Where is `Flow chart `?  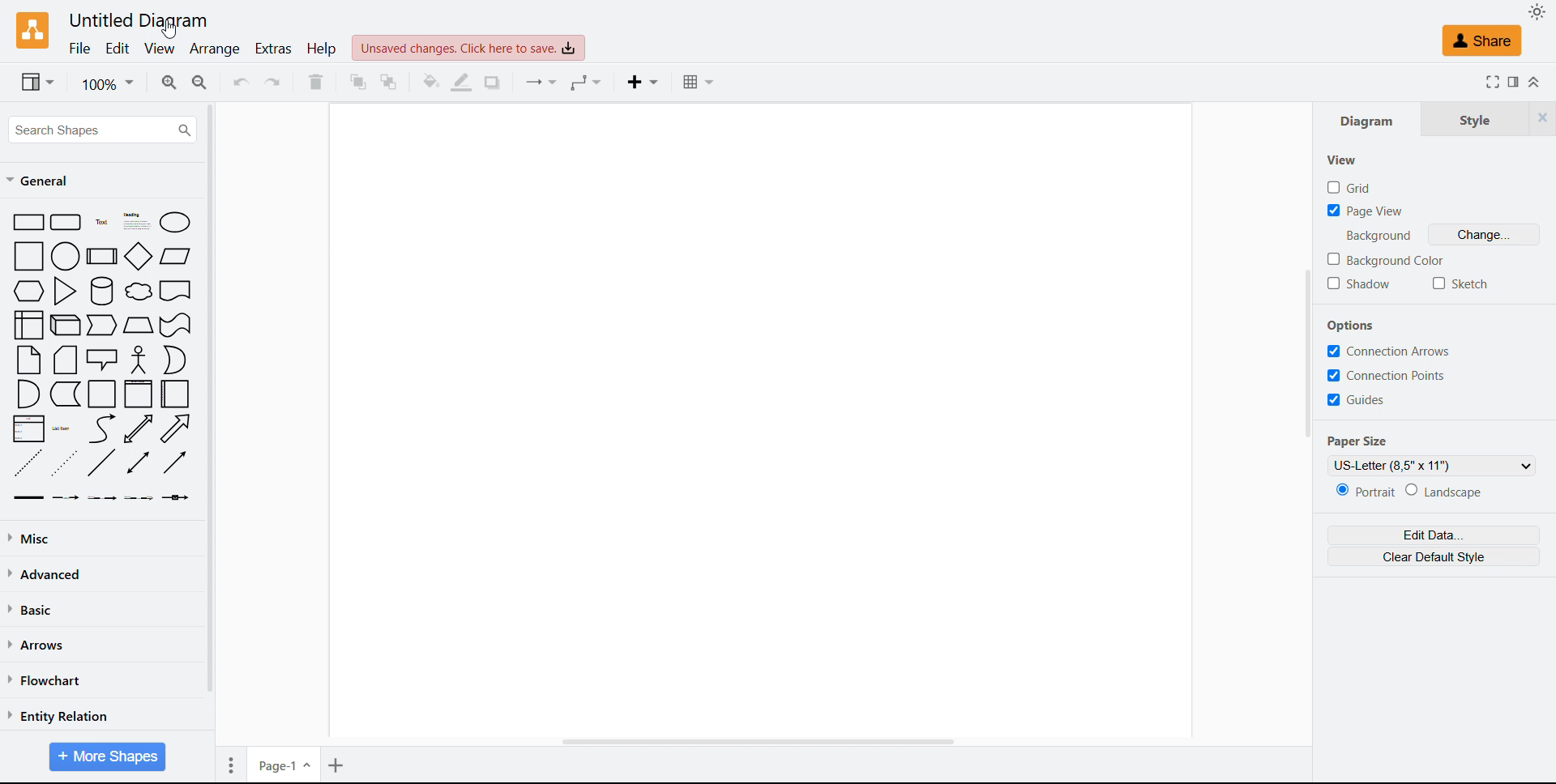
Flow chart  is located at coordinates (45, 681).